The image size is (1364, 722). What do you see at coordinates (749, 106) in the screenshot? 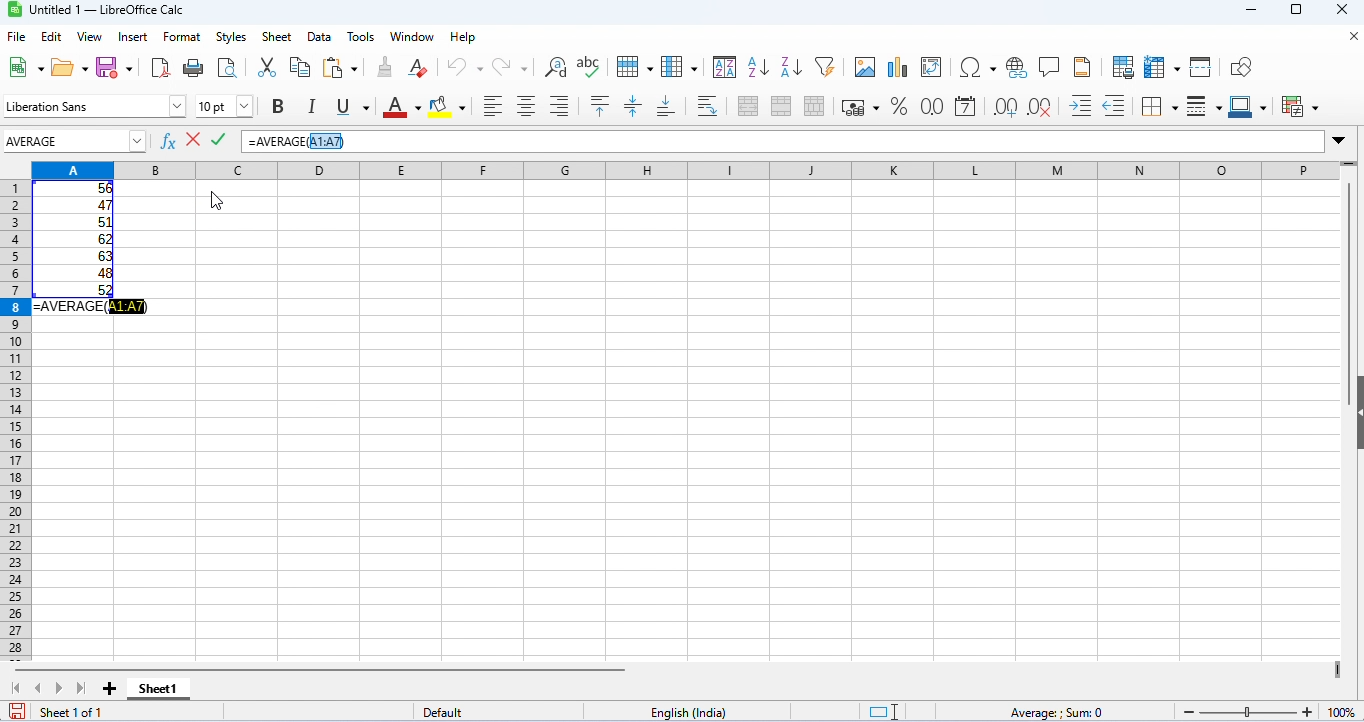
I see `merge and center` at bounding box center [749, 106].